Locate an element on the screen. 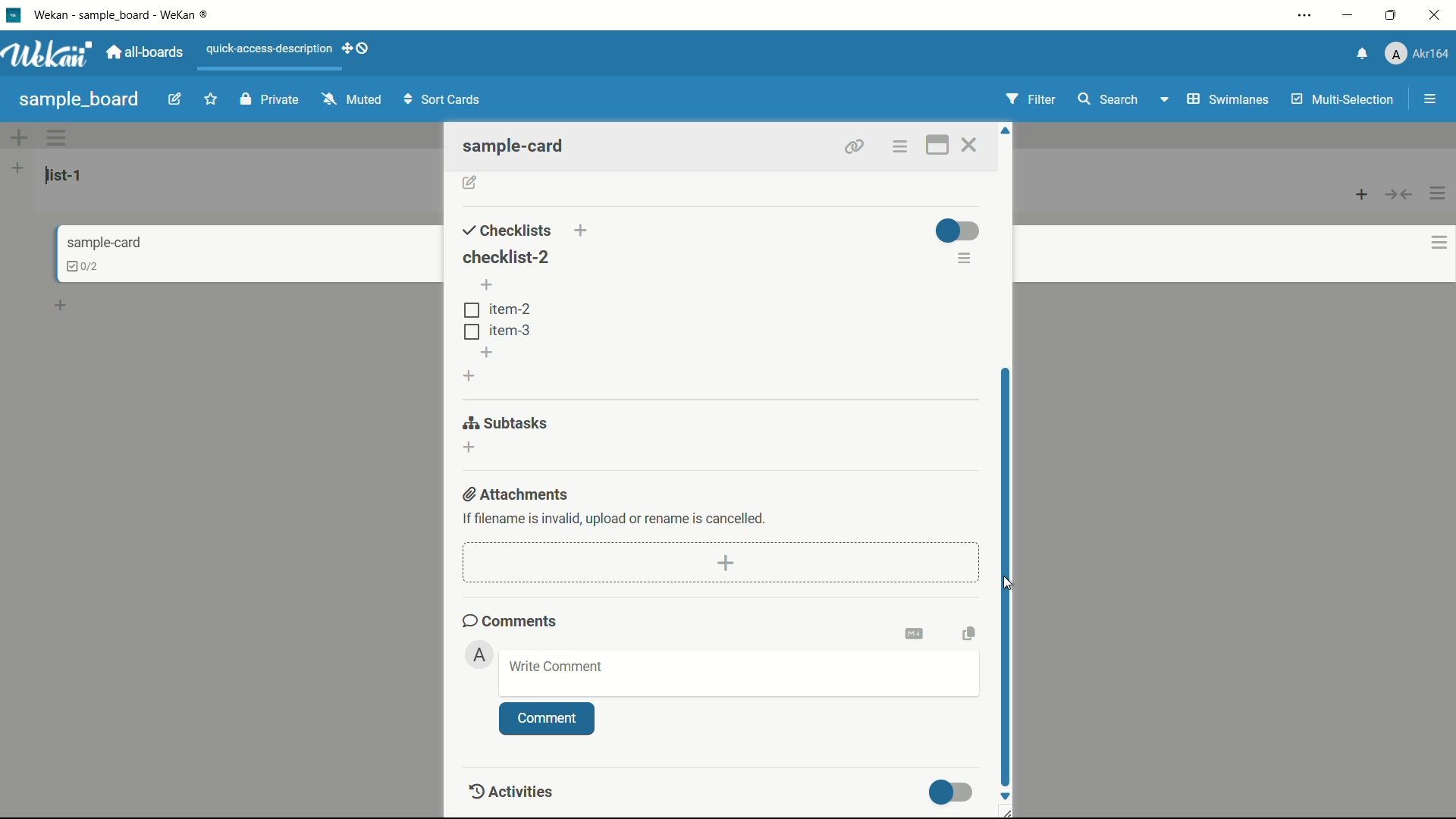 The width and height of the screenshot is (1456, 819). add checklist is located at coordinates (583, 231).